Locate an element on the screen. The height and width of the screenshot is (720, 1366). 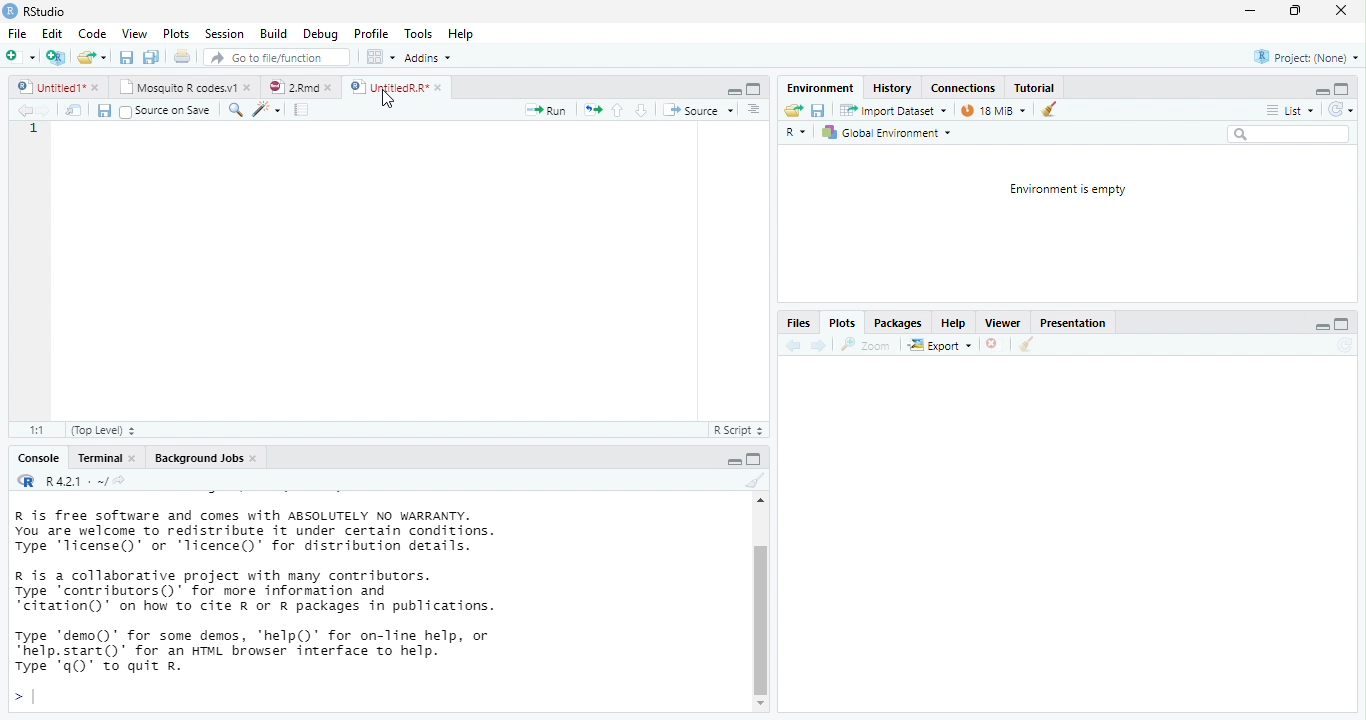
save all open document is located at coordinates (126, 57).